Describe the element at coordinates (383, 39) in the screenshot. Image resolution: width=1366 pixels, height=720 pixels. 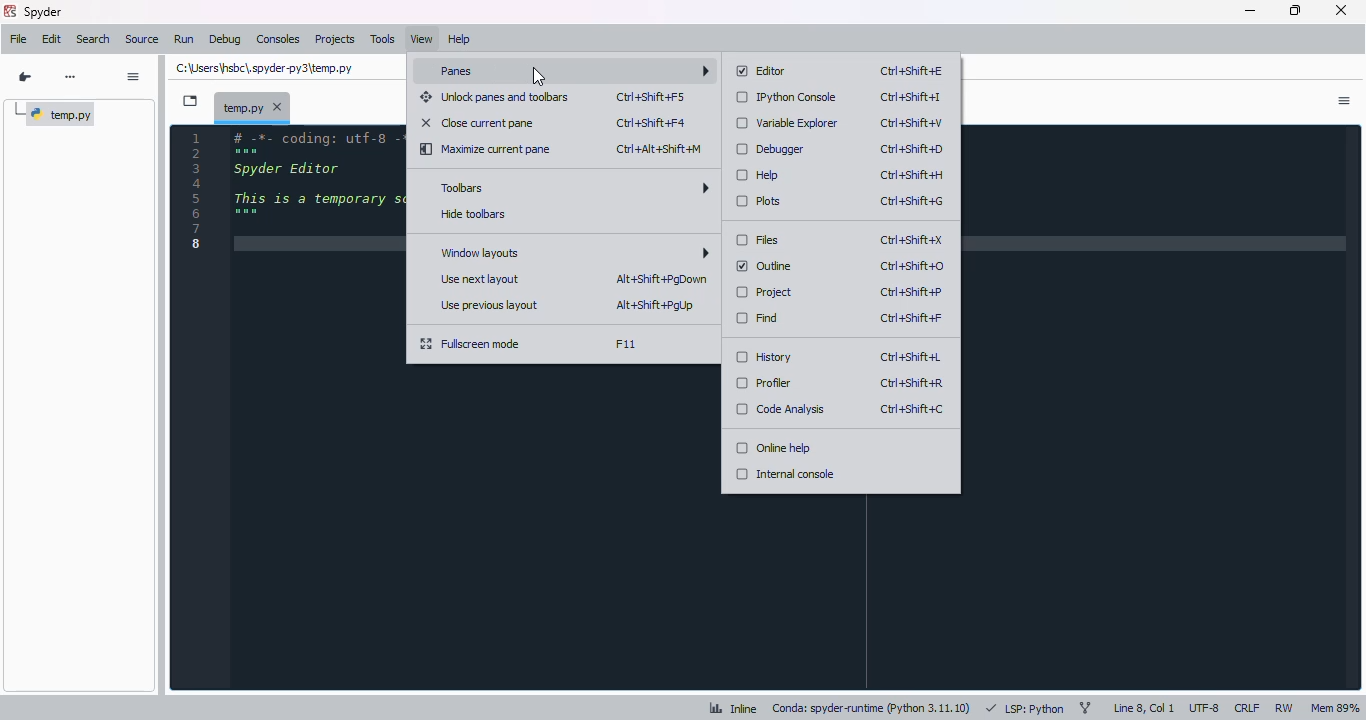
I see `tools` at that location.